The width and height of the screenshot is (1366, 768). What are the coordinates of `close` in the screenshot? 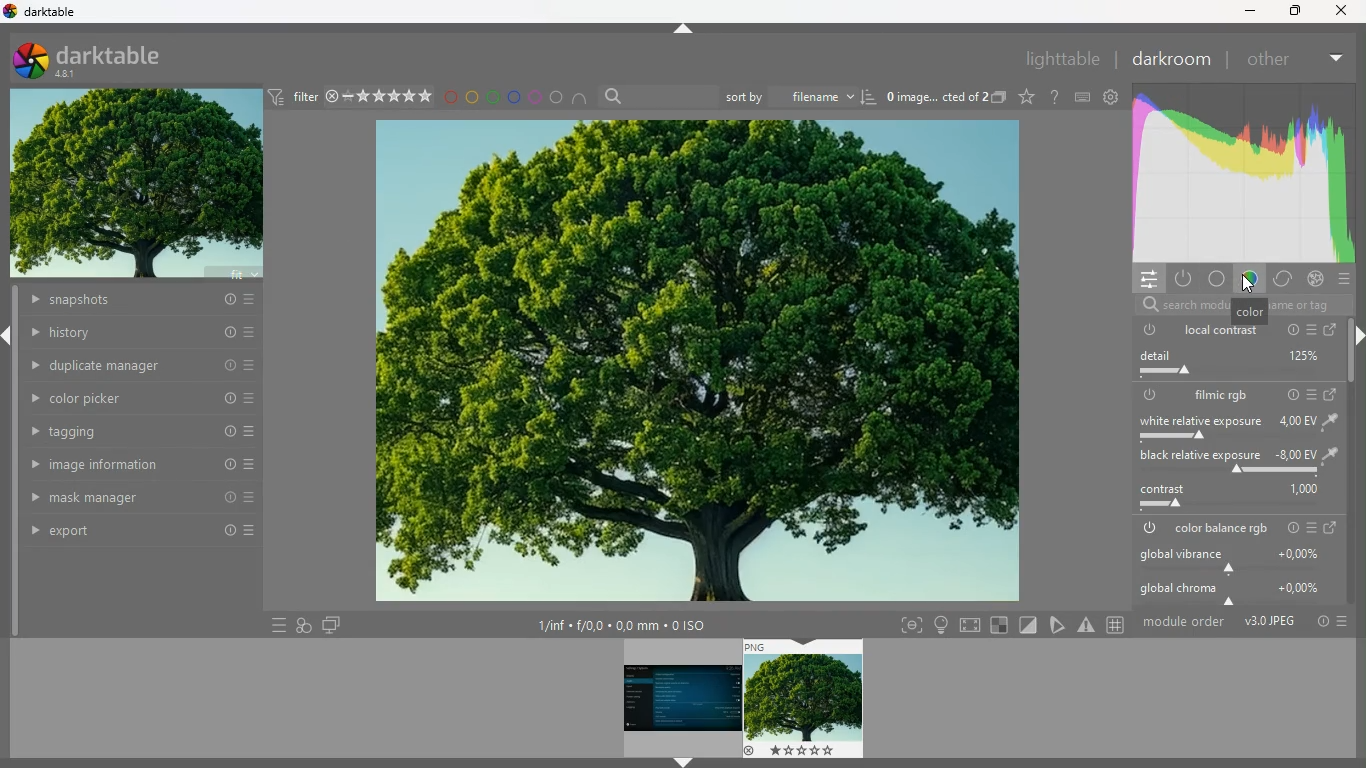 It's located at (1345, 10).